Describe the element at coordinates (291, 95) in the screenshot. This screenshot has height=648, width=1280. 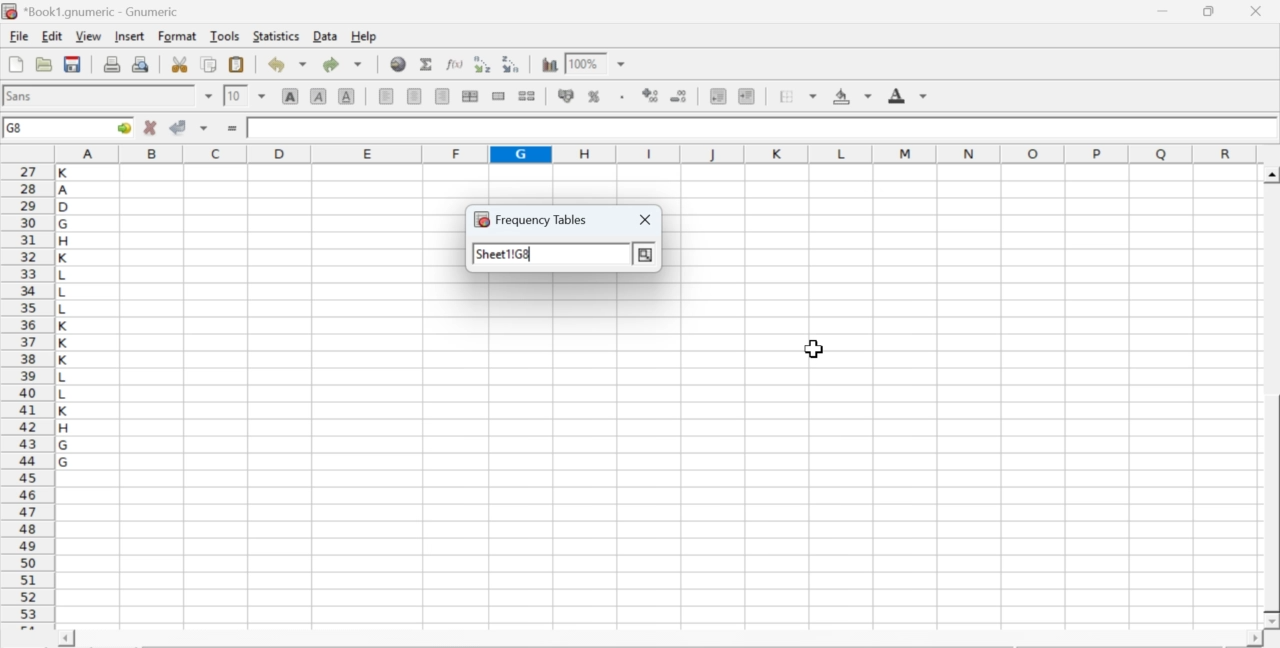
I see `bold` at that location.